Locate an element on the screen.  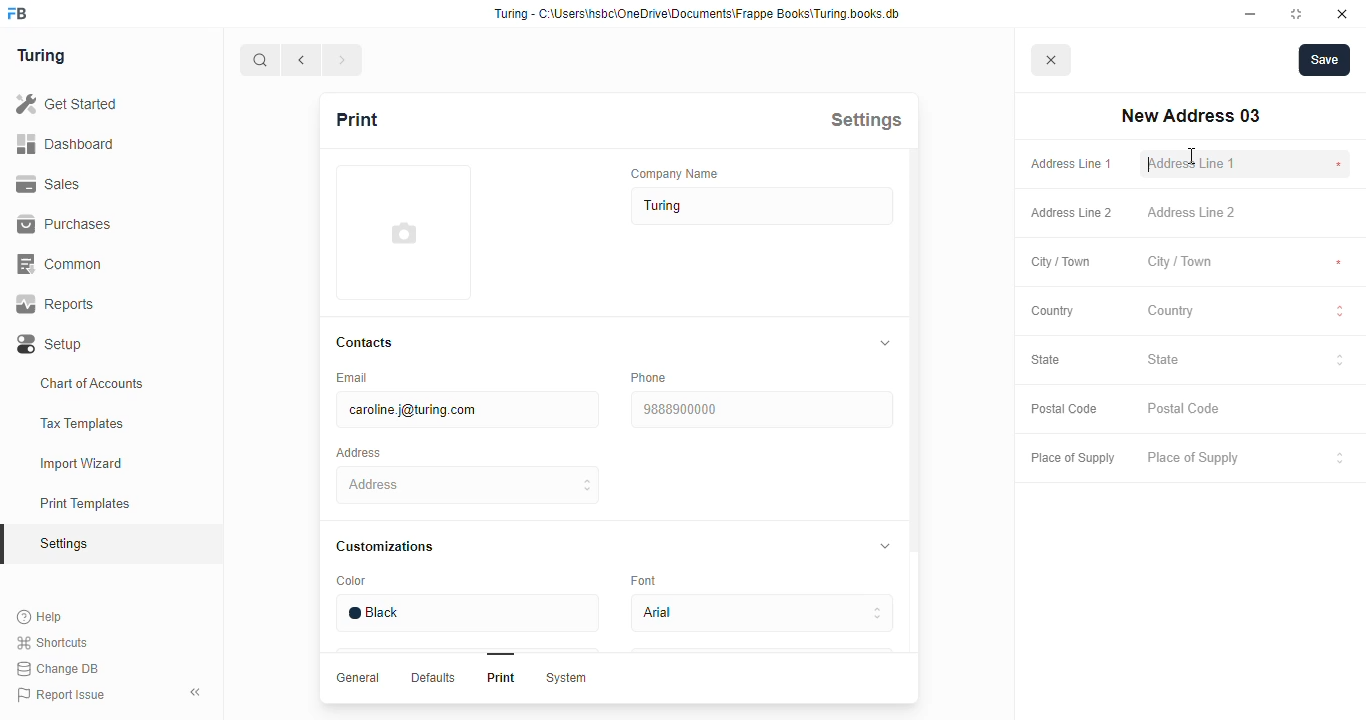
next is located at coordinates (344, 60).